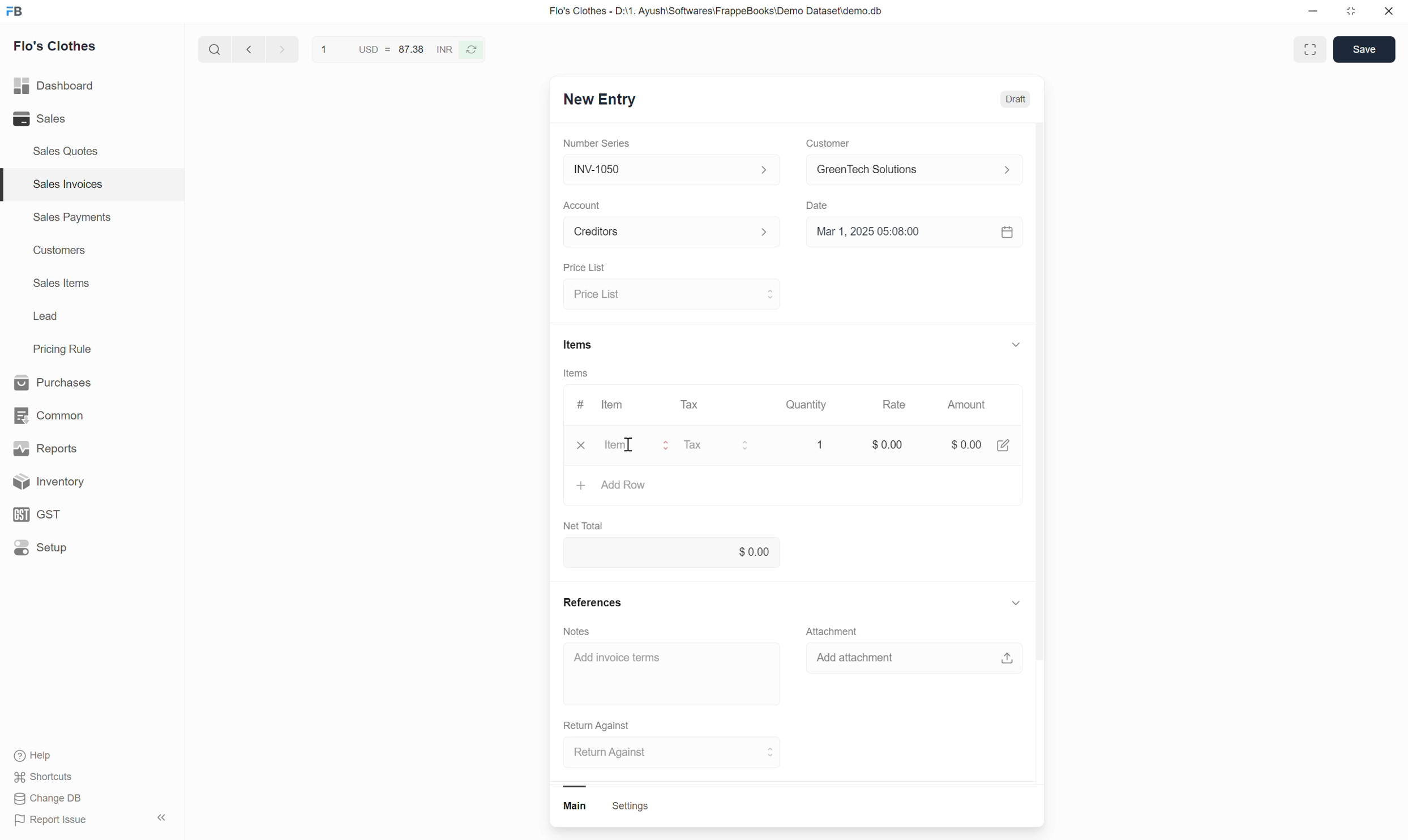 This screenshot has height=840, width=1408. Describe the element at coordinates (836, 629) in the screenshot. I see `Attachment` at that location.